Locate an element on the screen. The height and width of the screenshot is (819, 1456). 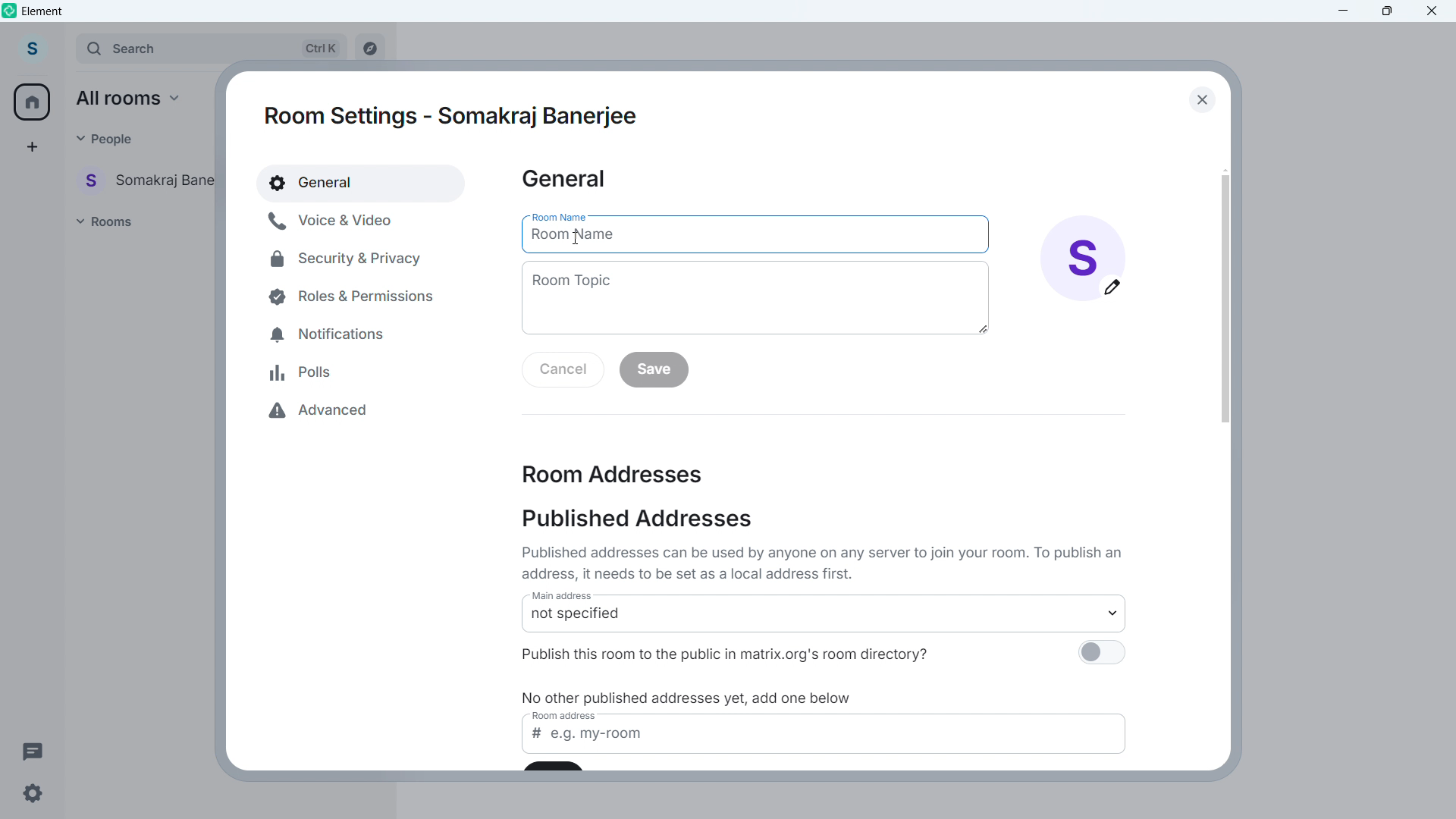
search is located at coordinates (212, 48).